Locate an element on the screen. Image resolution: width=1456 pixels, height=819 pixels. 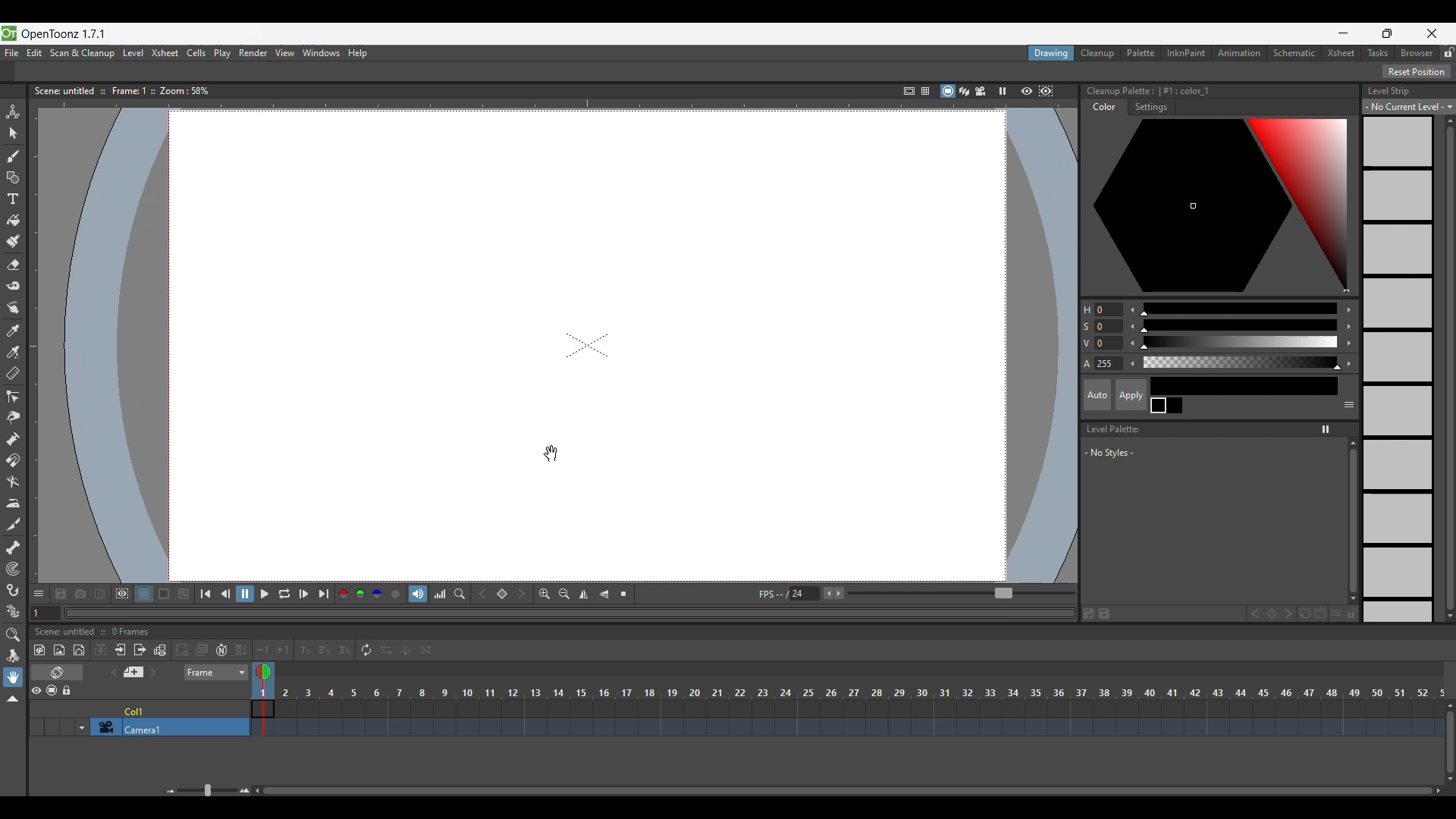
Fill in empty cells is located at coordinates (241, 650).